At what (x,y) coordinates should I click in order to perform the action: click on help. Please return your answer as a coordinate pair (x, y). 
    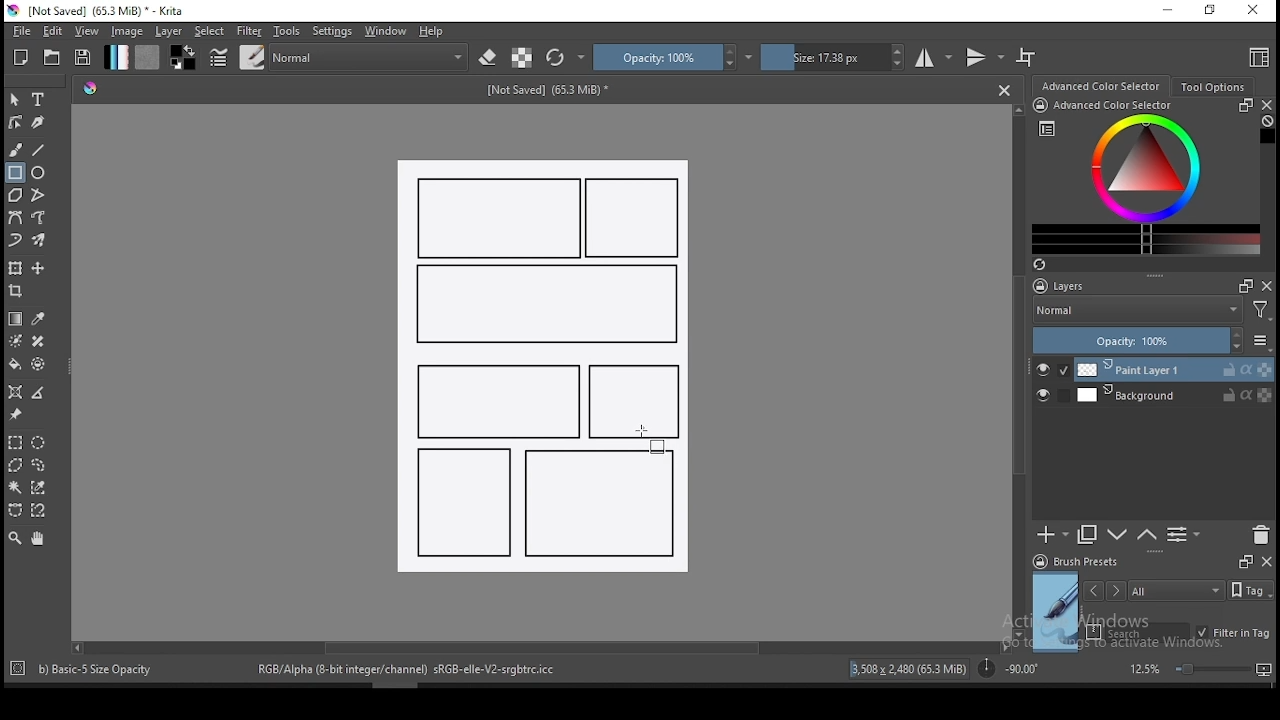
    Looking at the image, I should click on (435, 32).